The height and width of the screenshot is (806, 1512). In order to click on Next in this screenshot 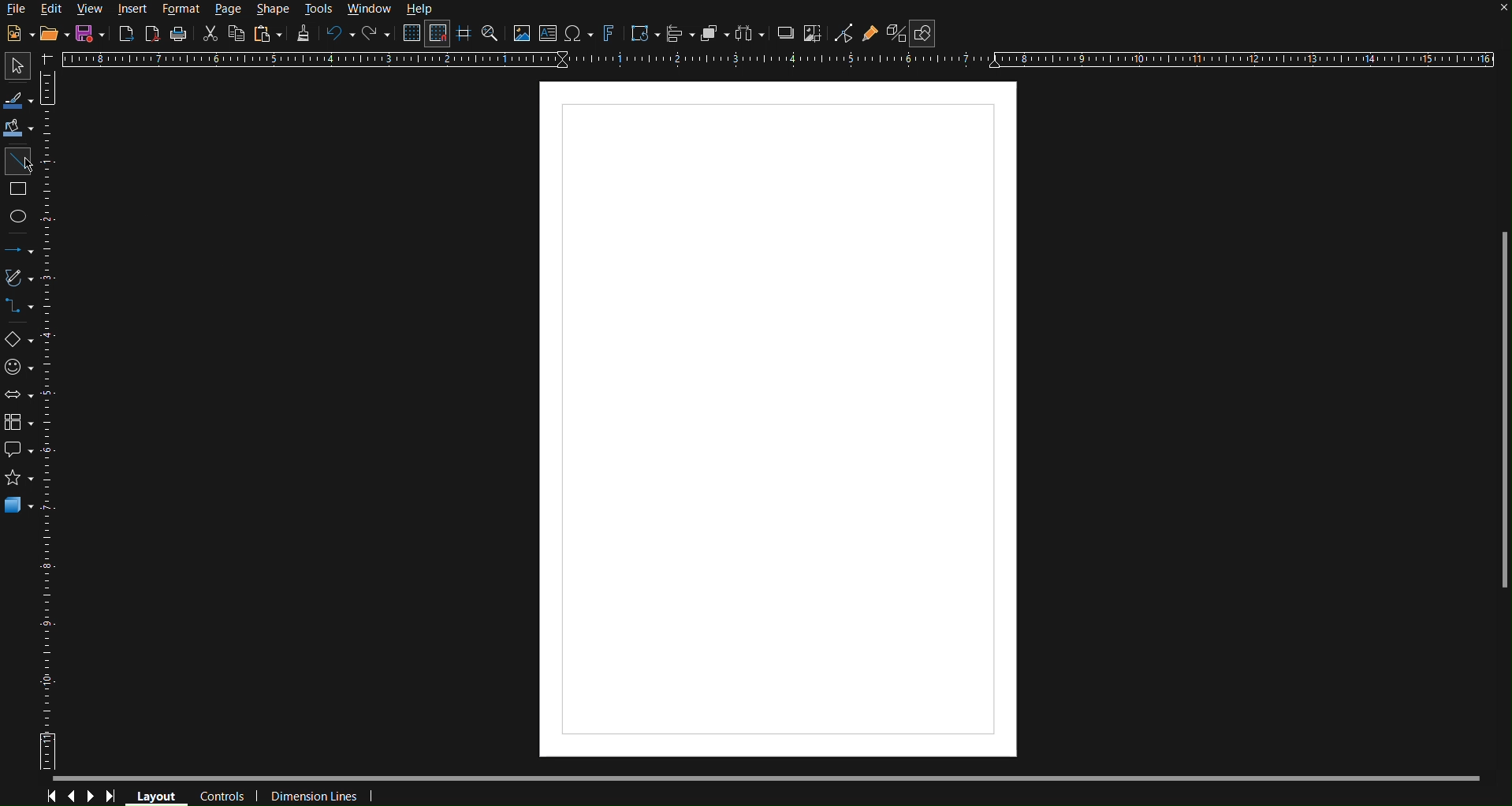, I will do `click(91, 795)`.